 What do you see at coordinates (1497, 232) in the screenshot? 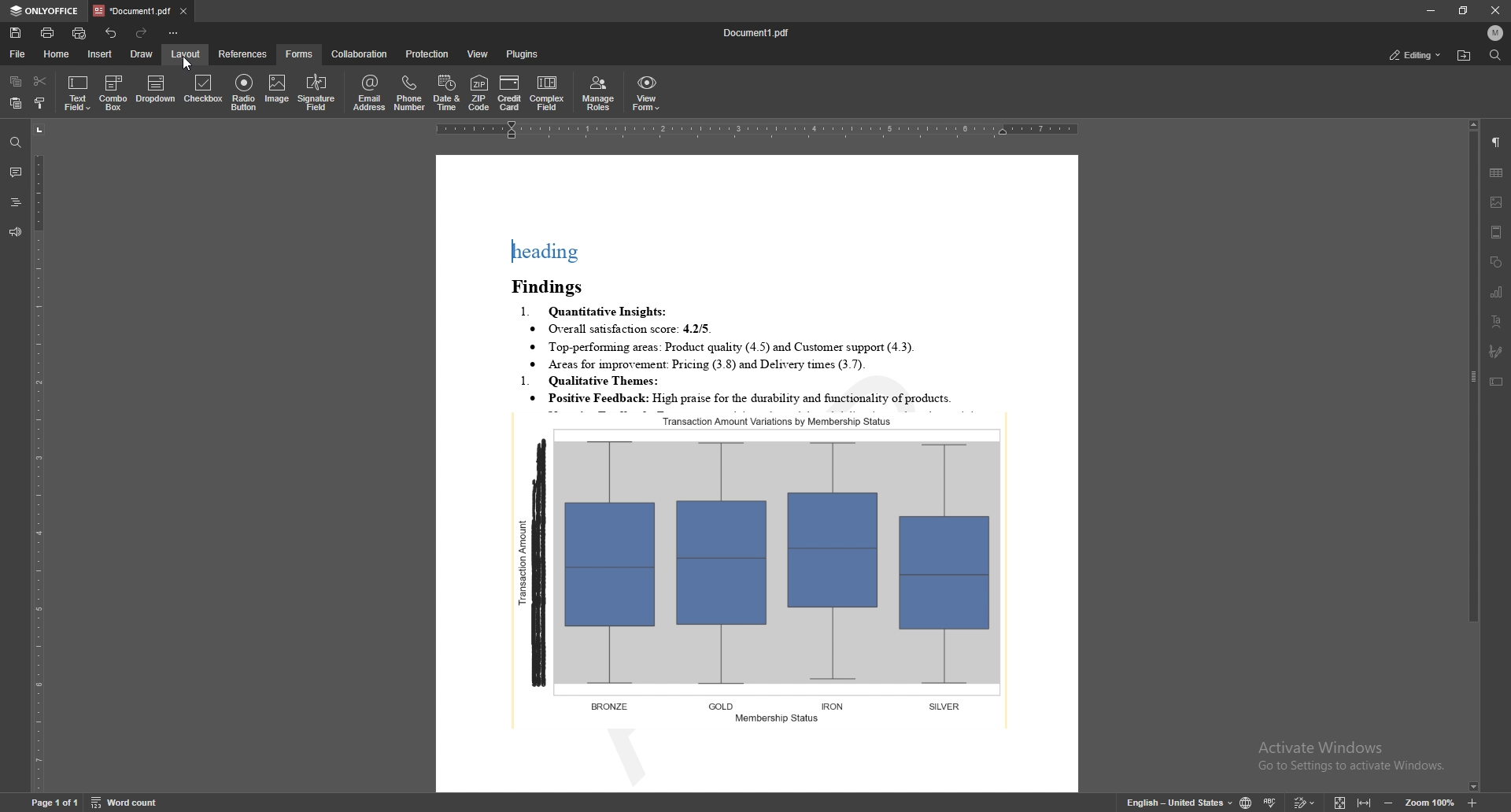
I see `header and footer` at bounding box center [1497, 232].